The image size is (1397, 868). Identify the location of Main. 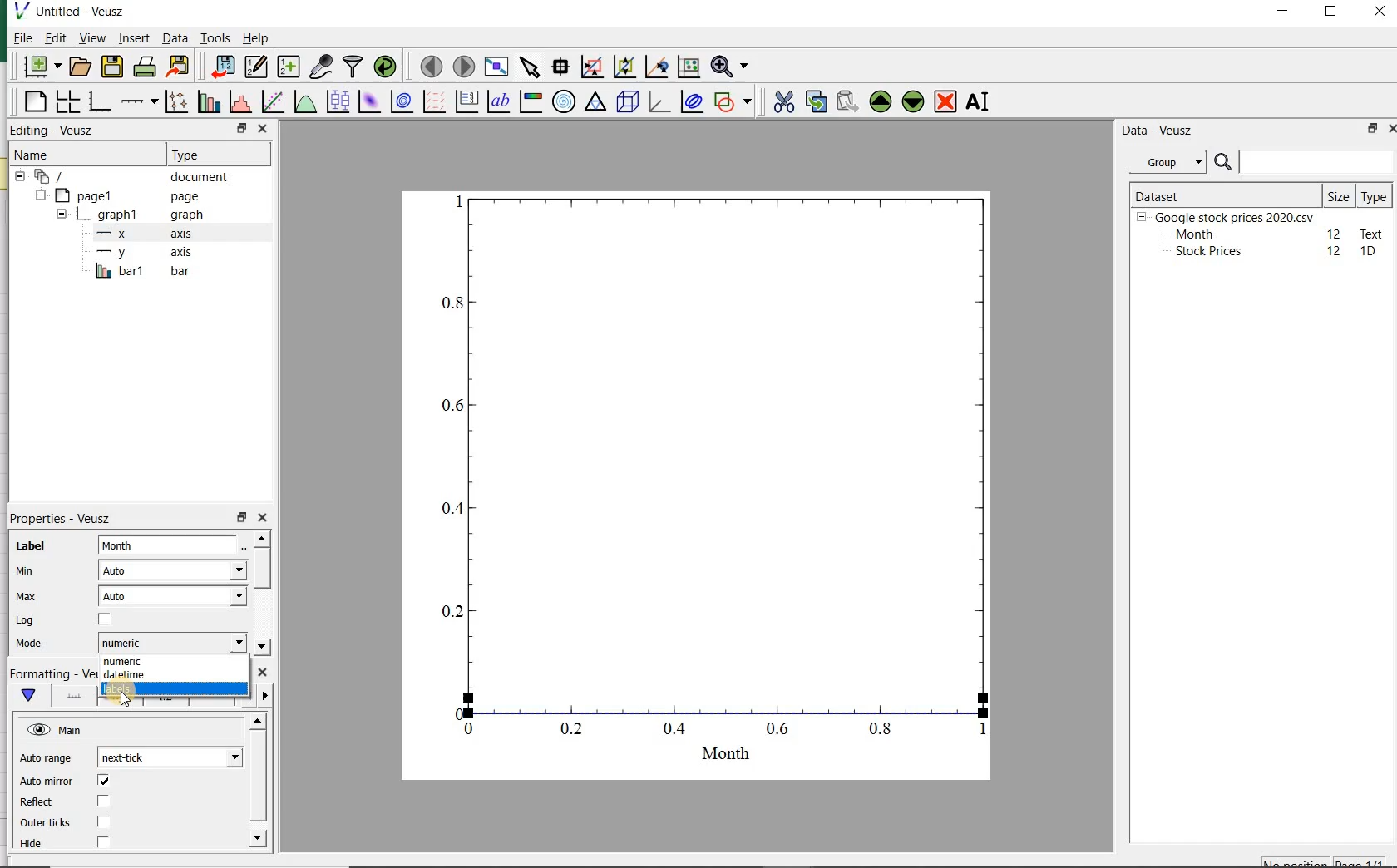
(56, 730).